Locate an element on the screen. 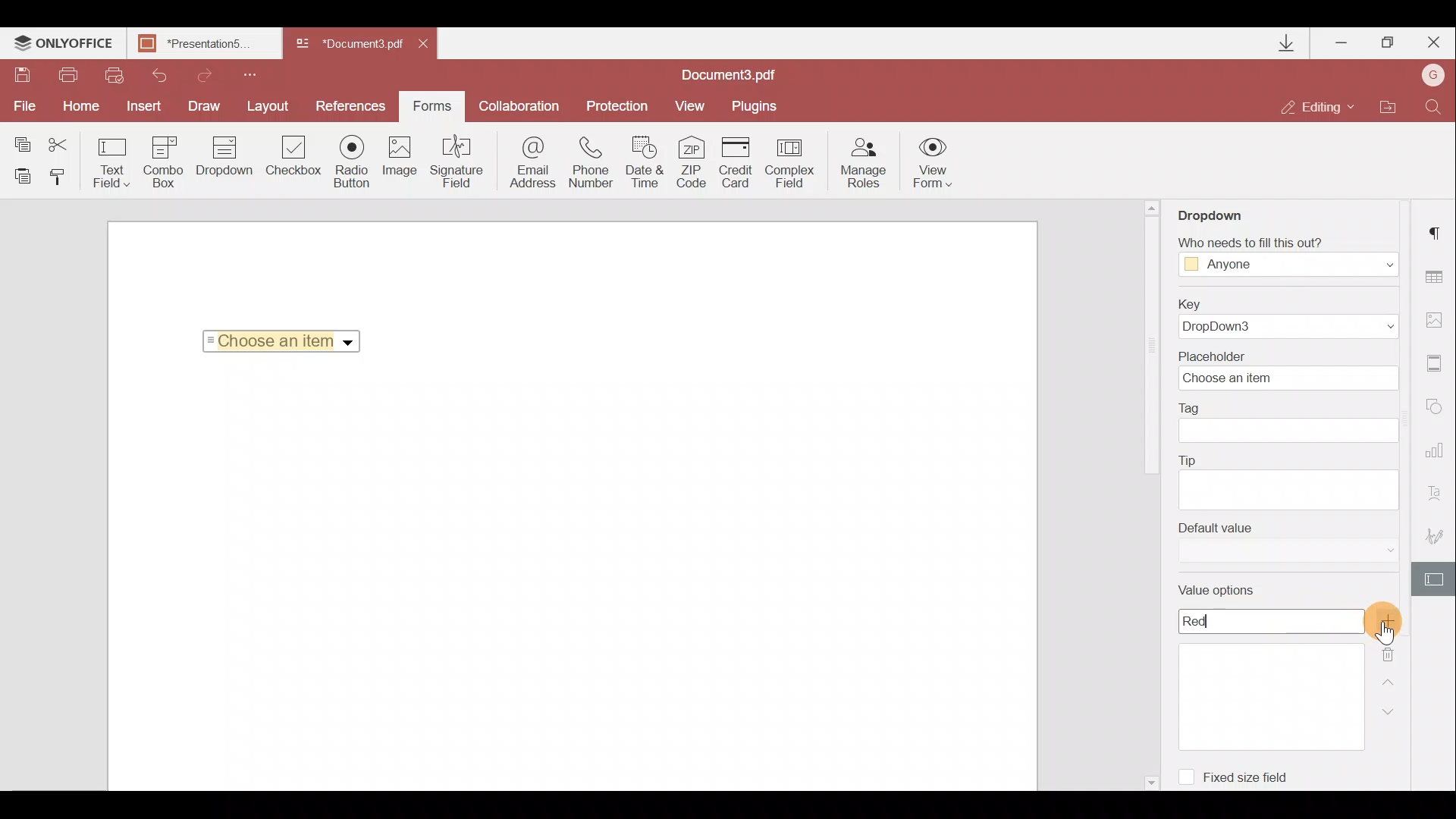 This screenshot has height=819, width=1456. Dropdown is located at coordinates (221, 165).